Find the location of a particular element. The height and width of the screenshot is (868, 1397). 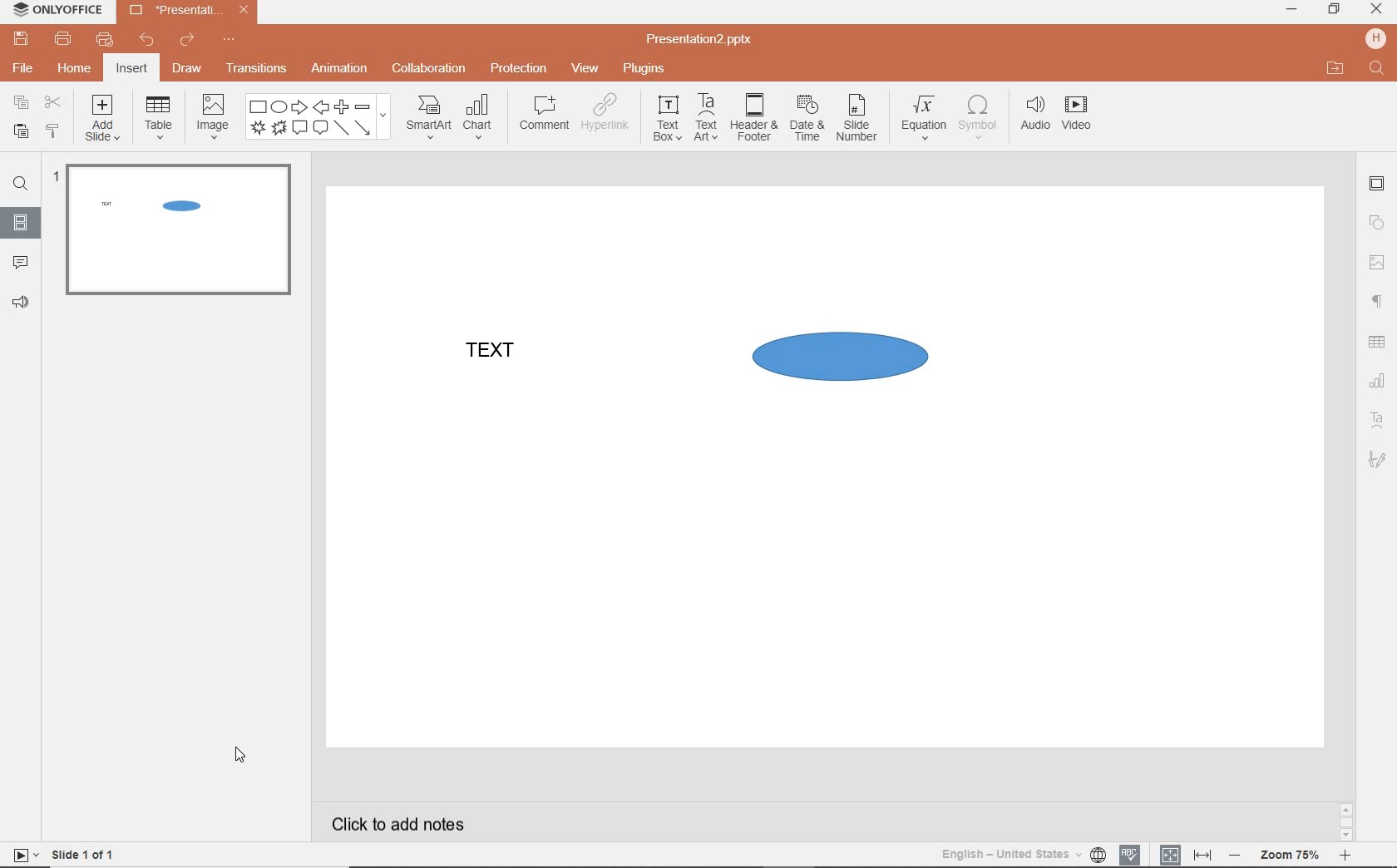

textbox is located at coordinates (665, 119).